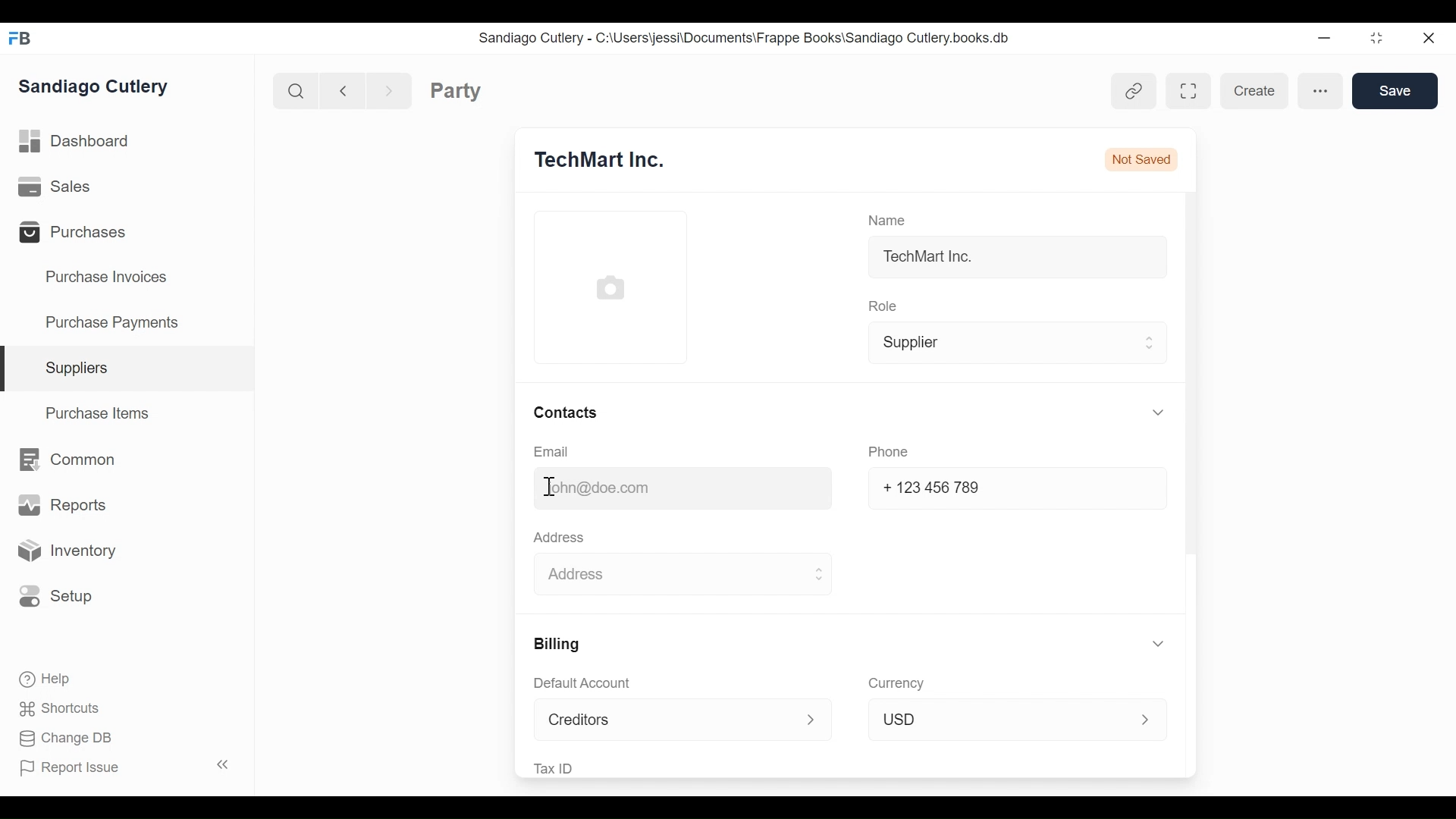 This screenshot has width=1456, height=819. Describe the element at coordinates (566, 410) in the screenshot. I see `Contacts` at that location.